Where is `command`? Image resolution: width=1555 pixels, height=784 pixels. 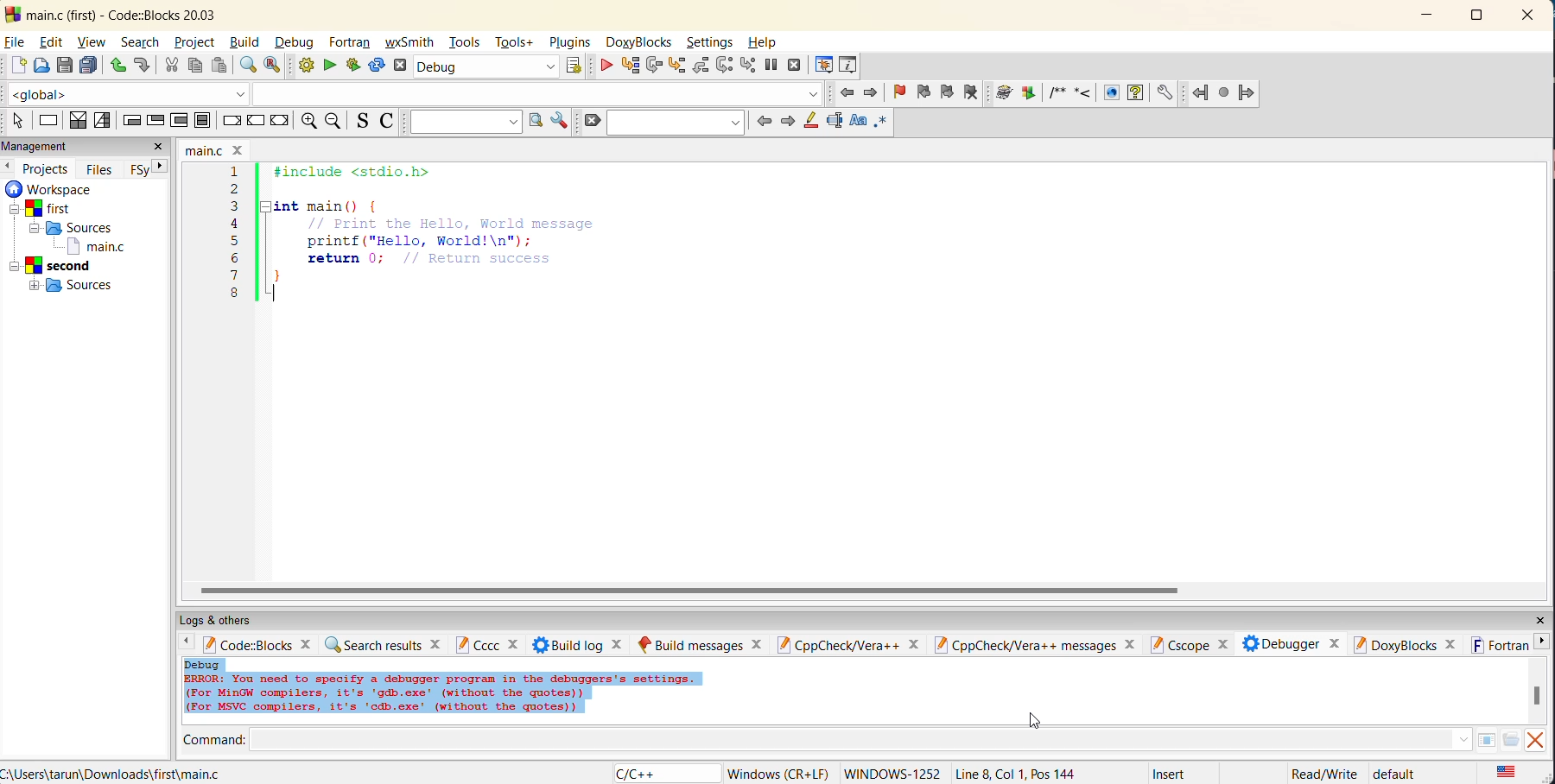
command is located at coordinates (844, 738).